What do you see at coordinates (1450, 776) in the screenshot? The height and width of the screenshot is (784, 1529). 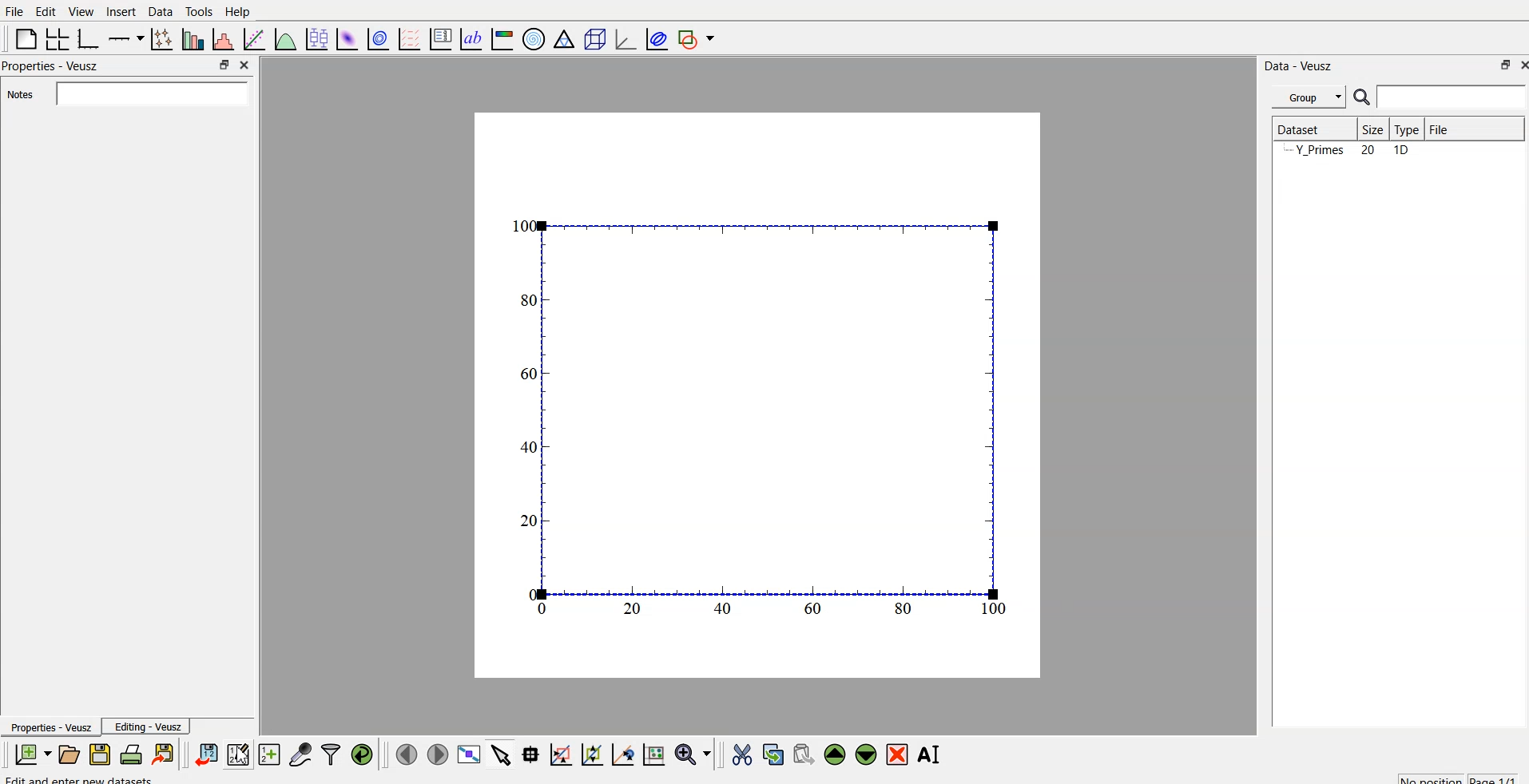 I see `no position page 1/1` at bounding box center [1450, 776].